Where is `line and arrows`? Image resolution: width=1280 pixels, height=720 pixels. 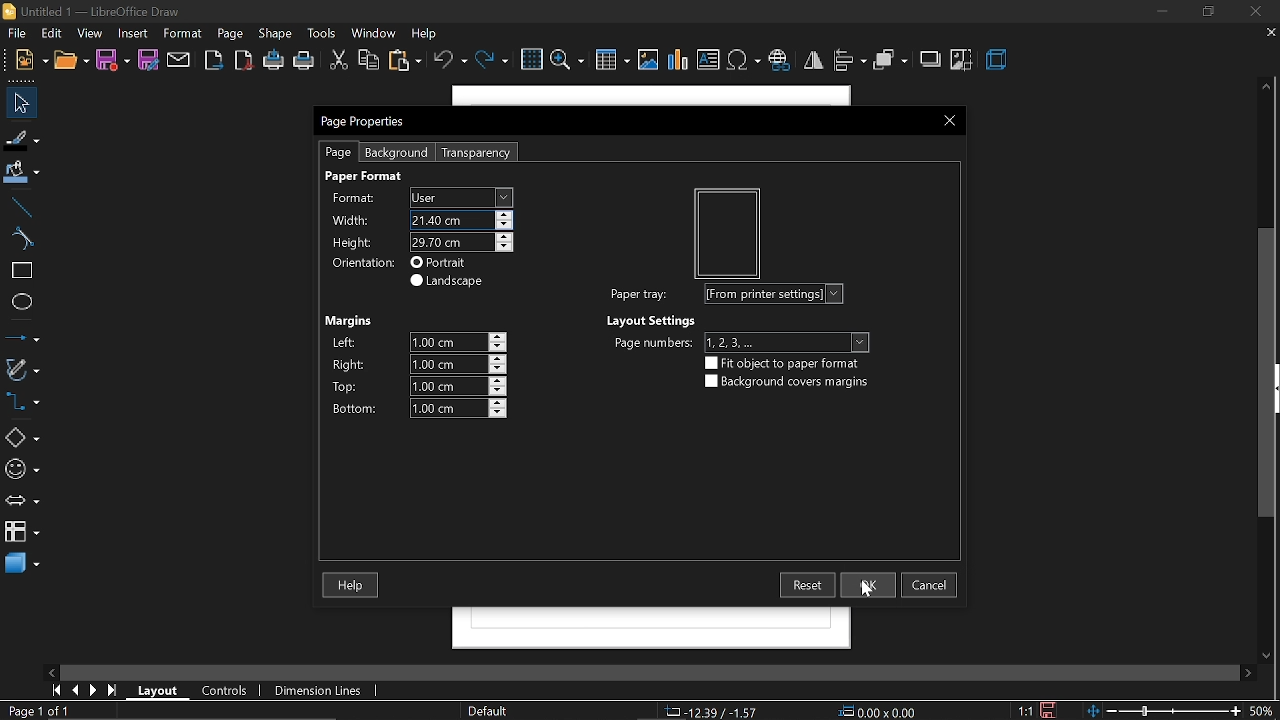
line and arrows is located at coordinates (22, 338).